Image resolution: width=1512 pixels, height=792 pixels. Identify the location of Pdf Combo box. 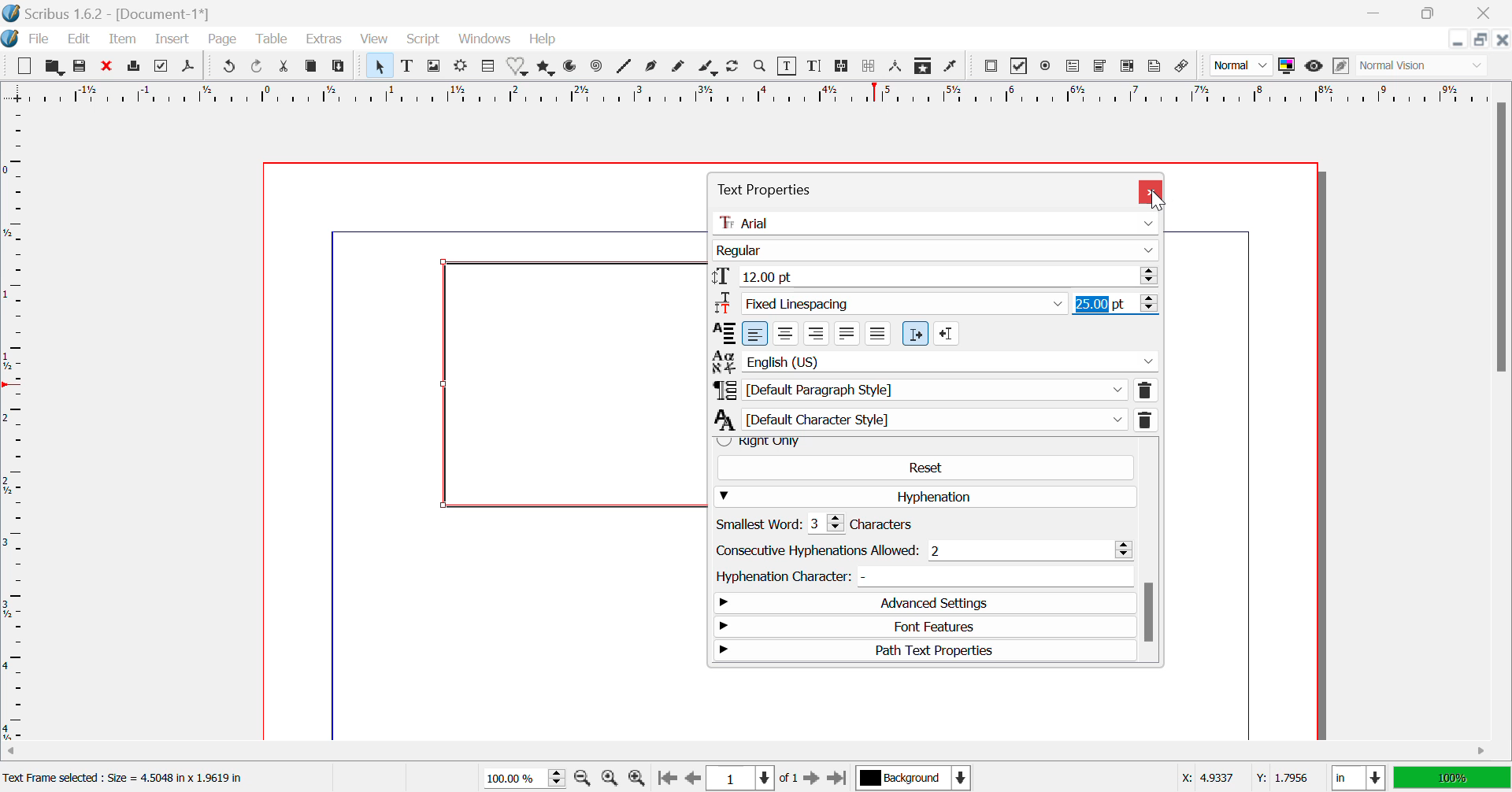
(1101, 68).